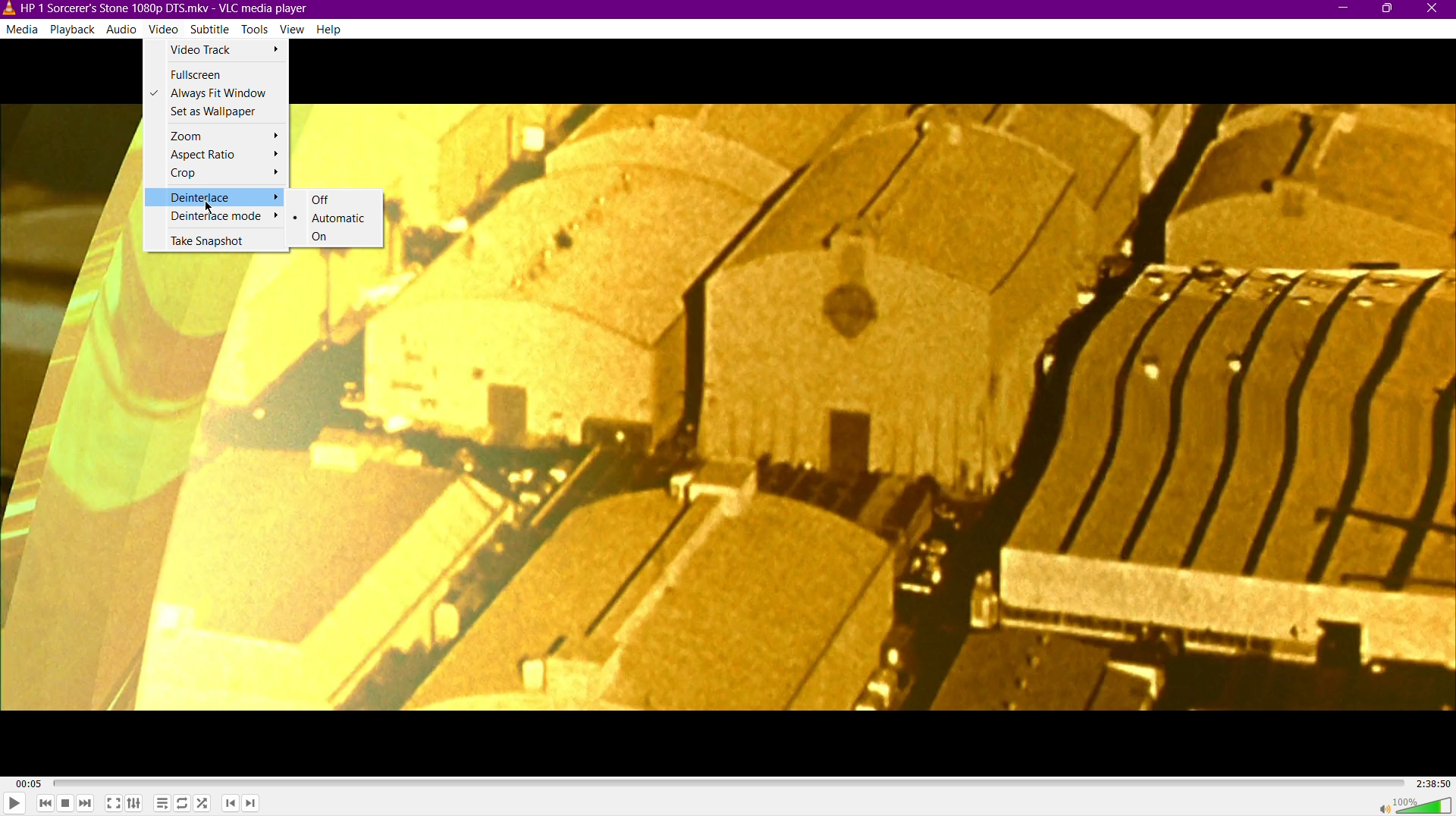 The image size is (1456, 816). What do you see at coordinates (44, 804) in the screenshot?
I see `Skip Back` at bounding box center [44, 804].